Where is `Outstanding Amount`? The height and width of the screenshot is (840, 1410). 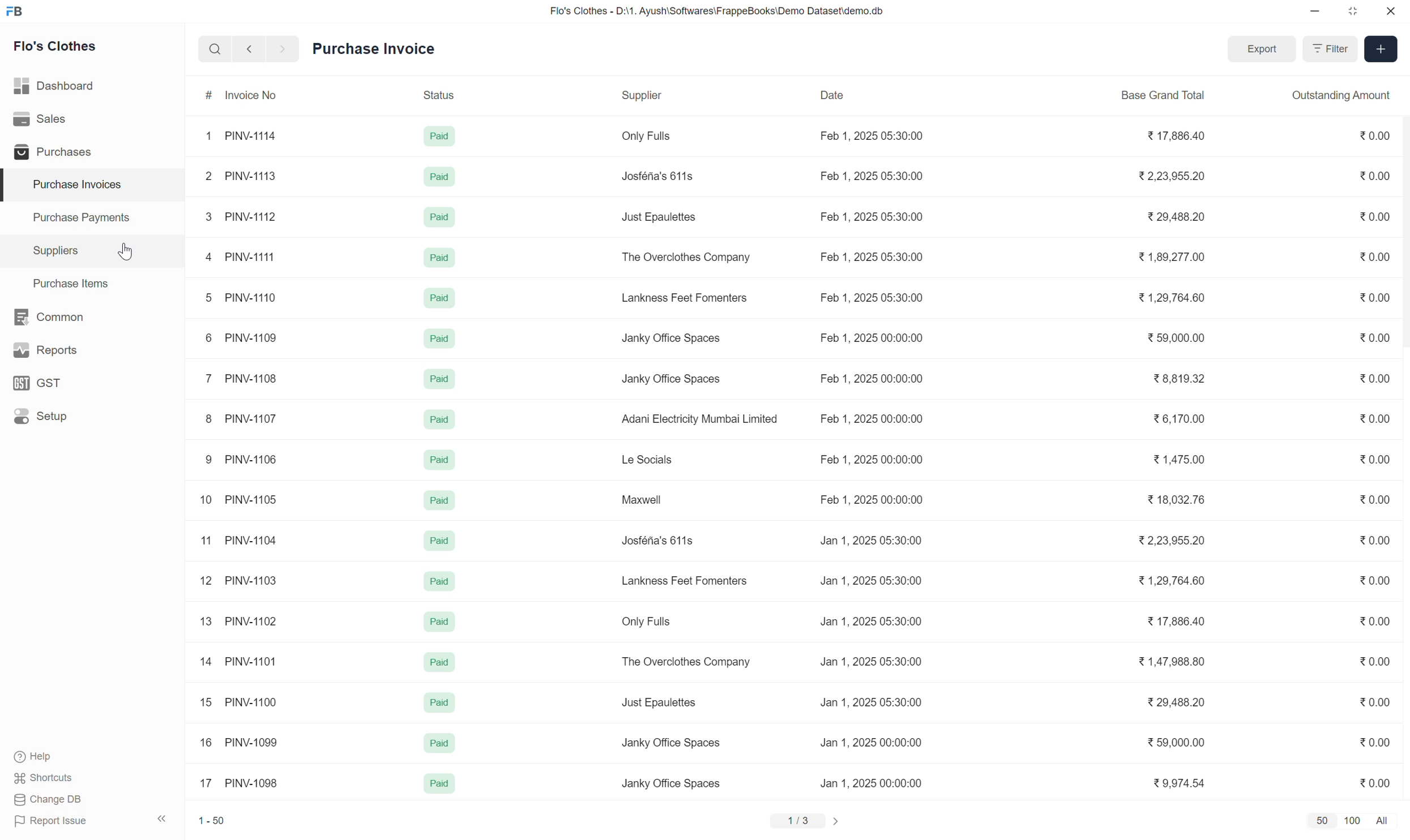 Outstanding Amount is located at coordinates (1345, 95).